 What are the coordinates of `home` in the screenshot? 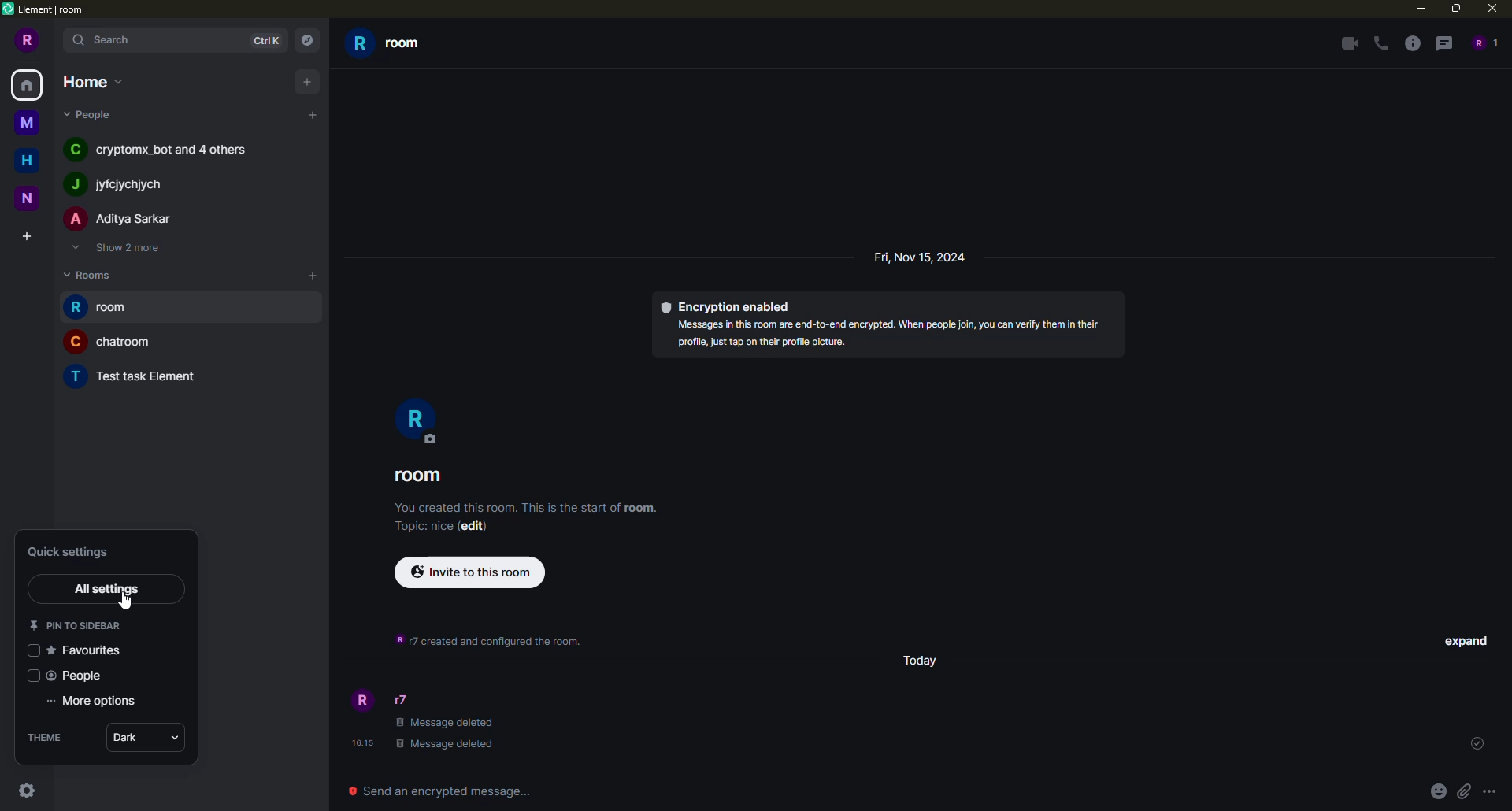 It's located at (31, 158).